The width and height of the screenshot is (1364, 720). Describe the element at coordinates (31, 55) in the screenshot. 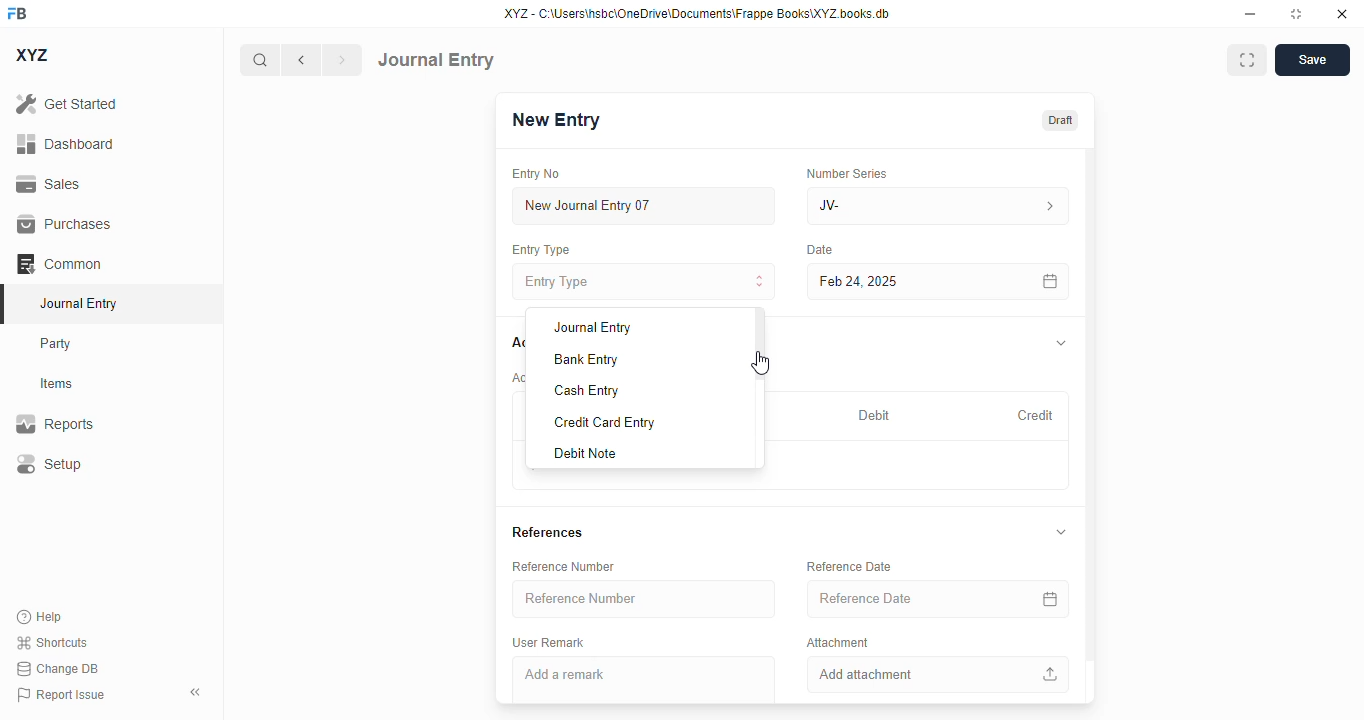

I see `XYZ` at that location.